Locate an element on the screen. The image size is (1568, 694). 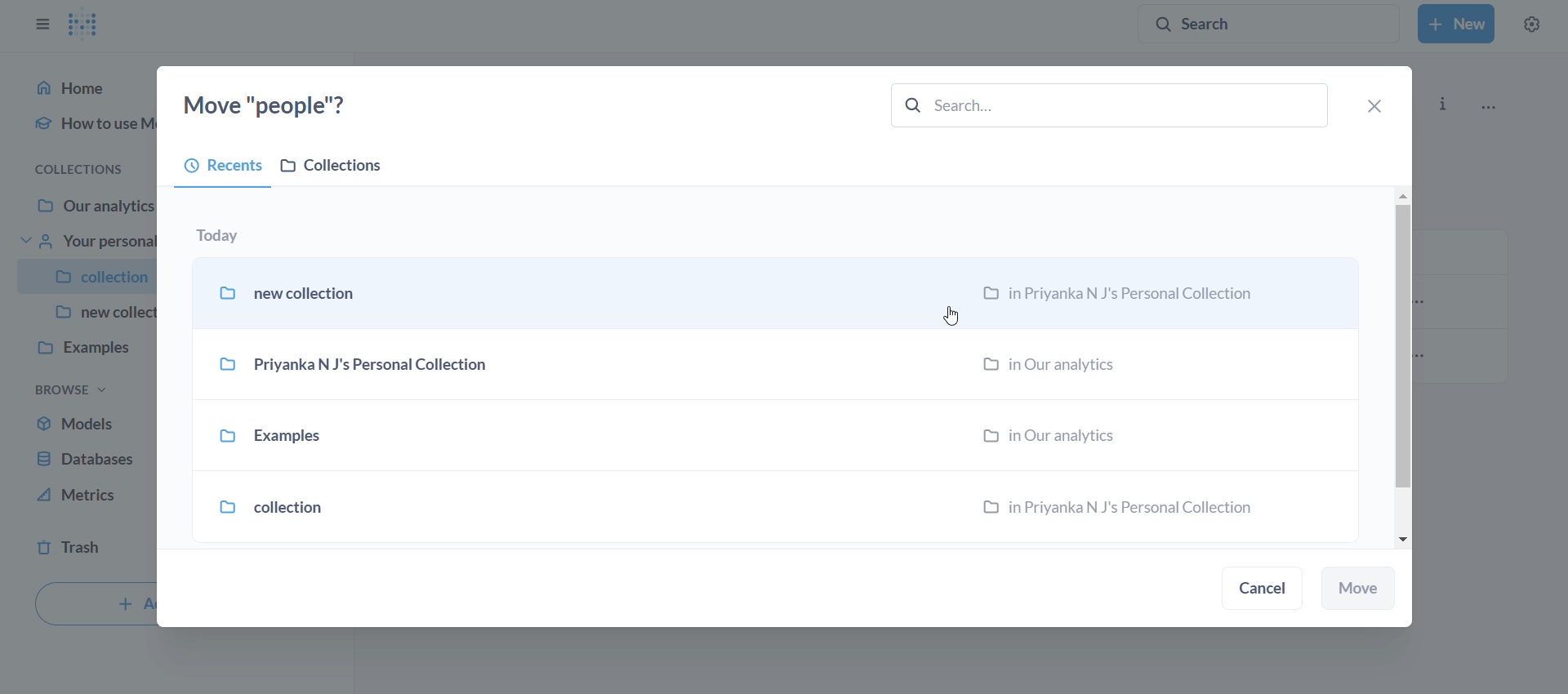
new collection is located at coordinates (777, 288).